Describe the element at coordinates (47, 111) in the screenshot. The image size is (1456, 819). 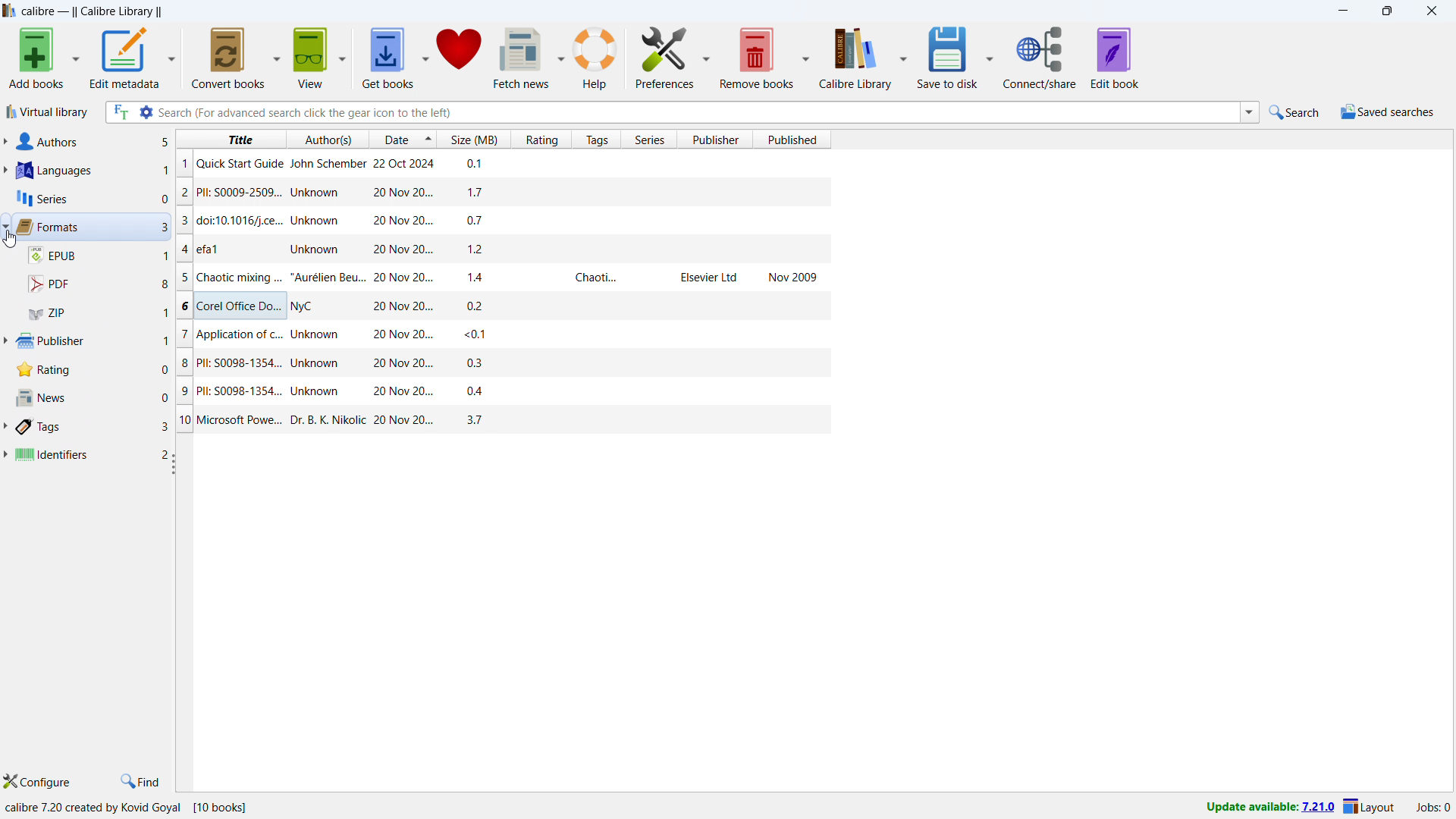
I see `virtual library` at that location.